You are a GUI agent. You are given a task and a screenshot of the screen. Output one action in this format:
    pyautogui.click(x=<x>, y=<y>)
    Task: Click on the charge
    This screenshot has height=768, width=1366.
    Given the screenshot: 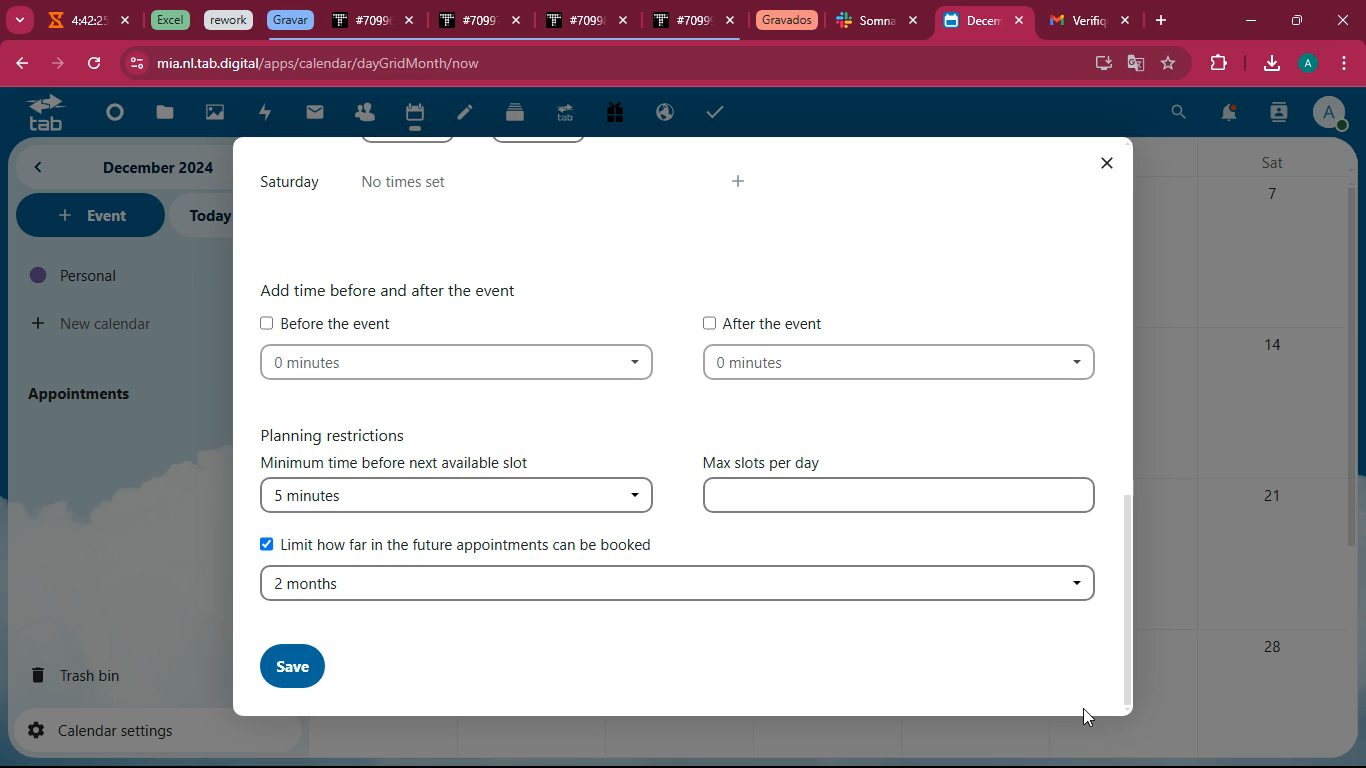 What is the action you would take?
    pyautogui.click(x=264, y=114)
    